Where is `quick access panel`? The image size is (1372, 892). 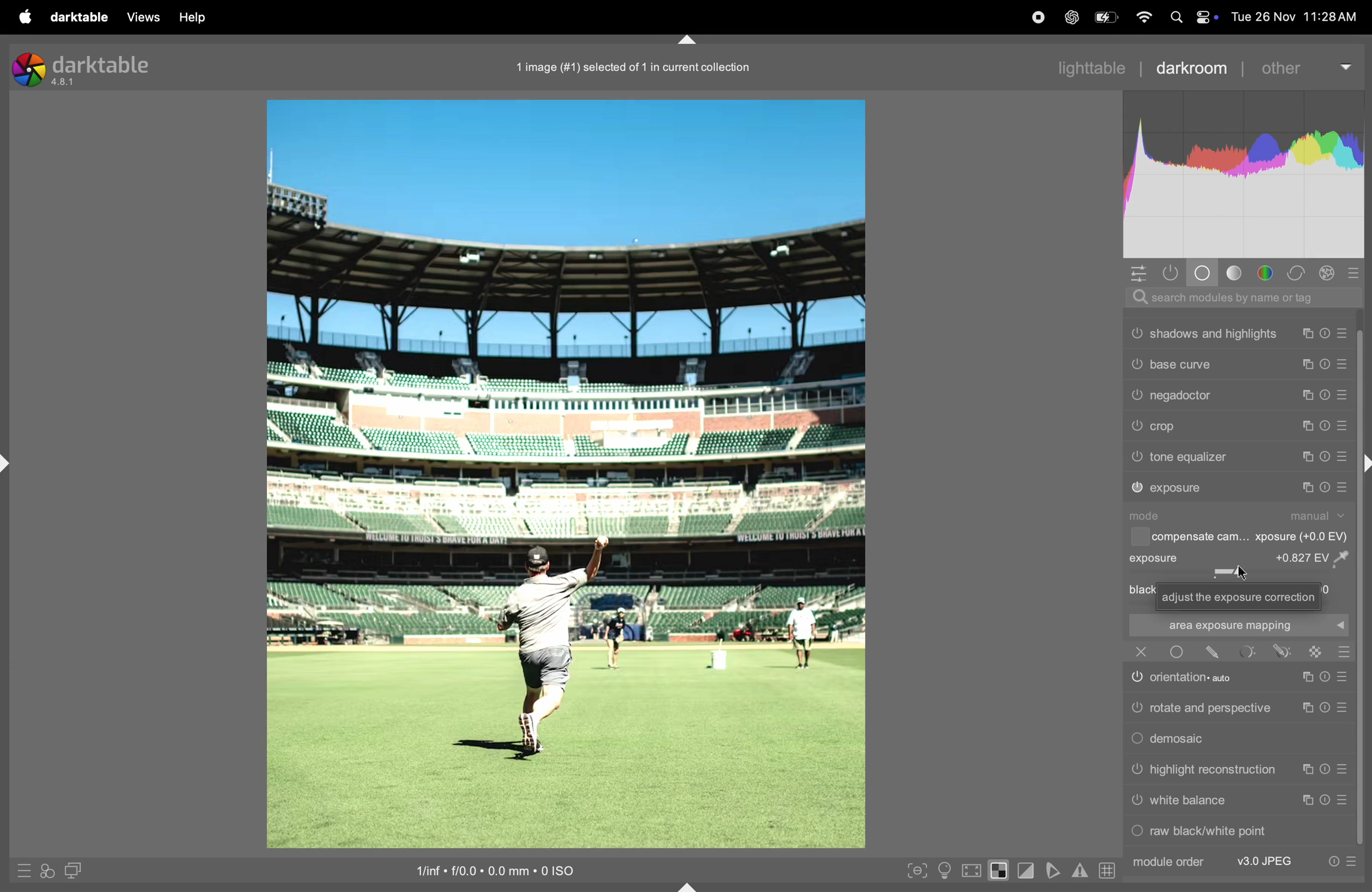 quick access panel is located at coordinates (1138, 273).